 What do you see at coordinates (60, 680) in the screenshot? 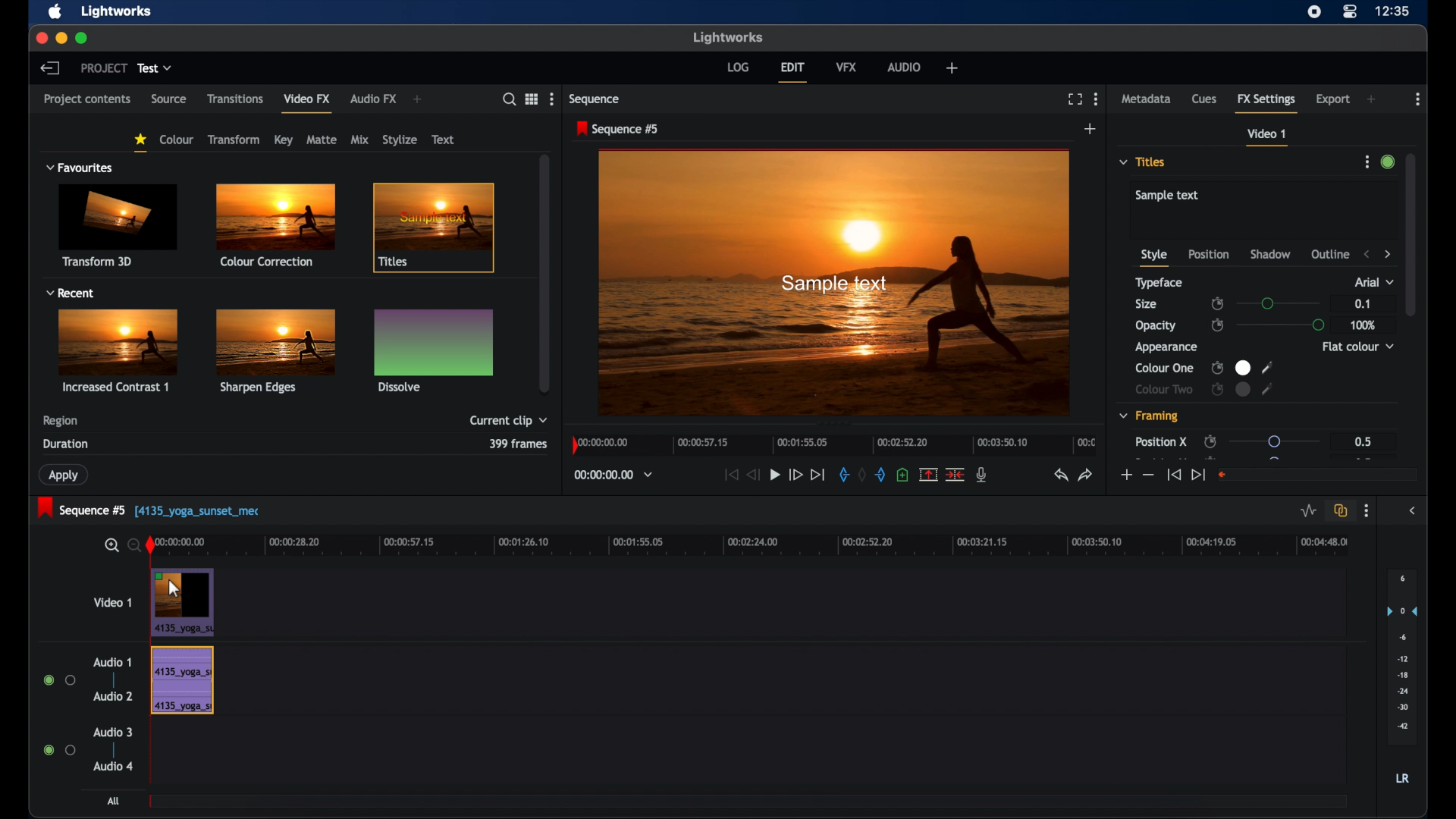
I see `radio buttons` at bounding box center [60, 680].